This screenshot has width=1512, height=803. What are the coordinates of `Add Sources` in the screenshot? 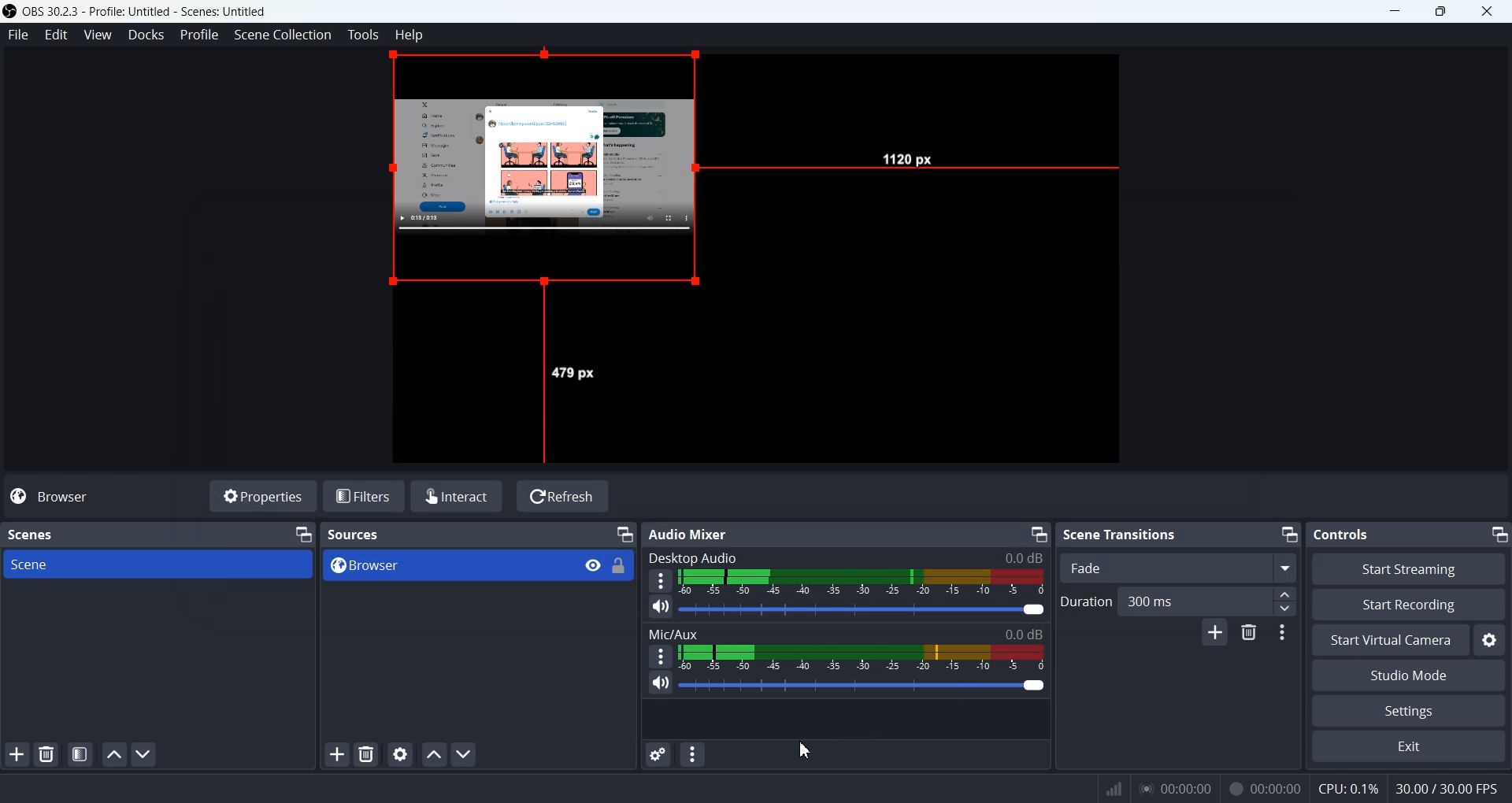 It's located at (337, 753).